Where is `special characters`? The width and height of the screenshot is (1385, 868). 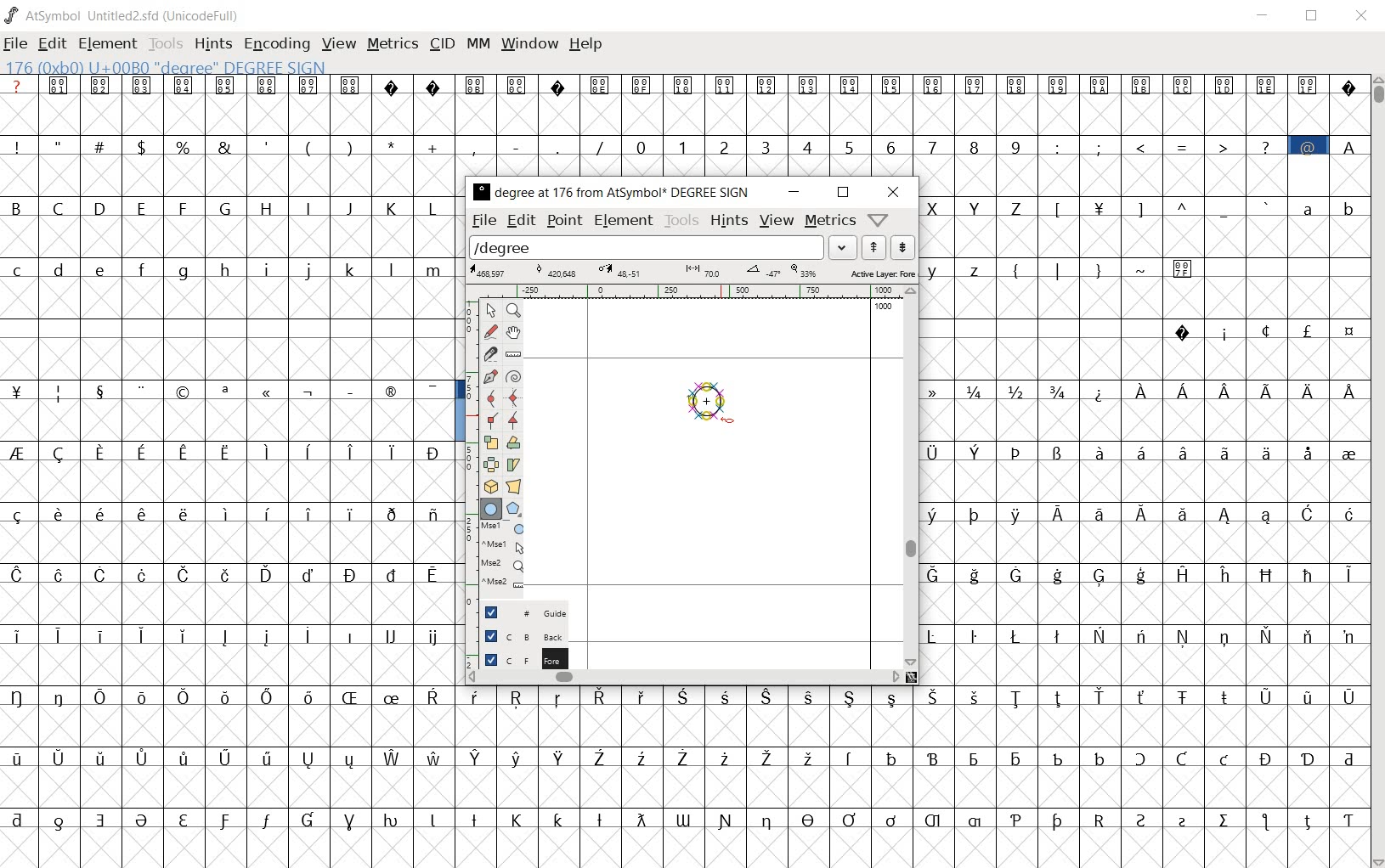 special characters is located at coordinates (1263, 330).